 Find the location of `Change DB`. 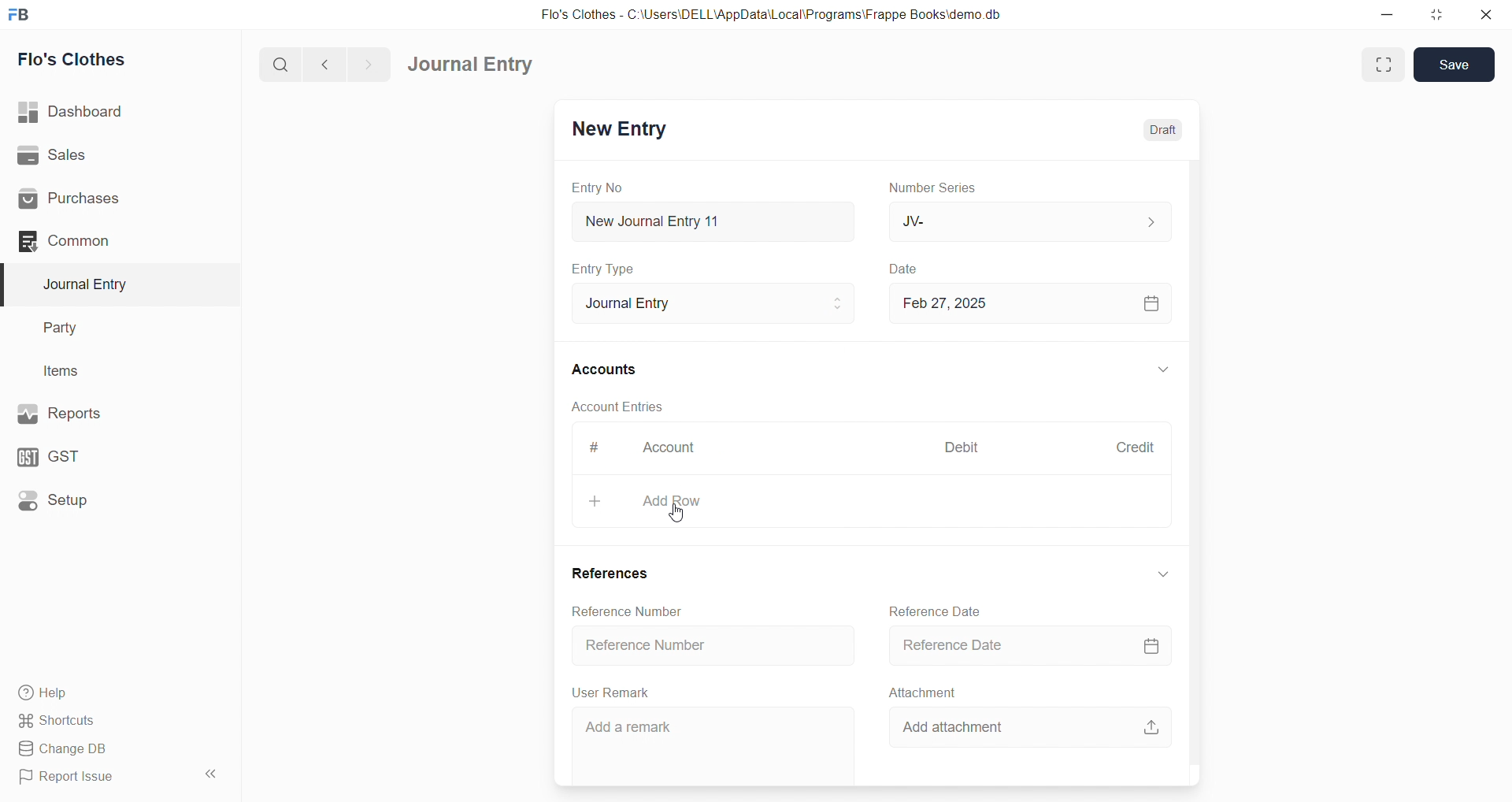

Change DB is located at coordinates (98, 748).